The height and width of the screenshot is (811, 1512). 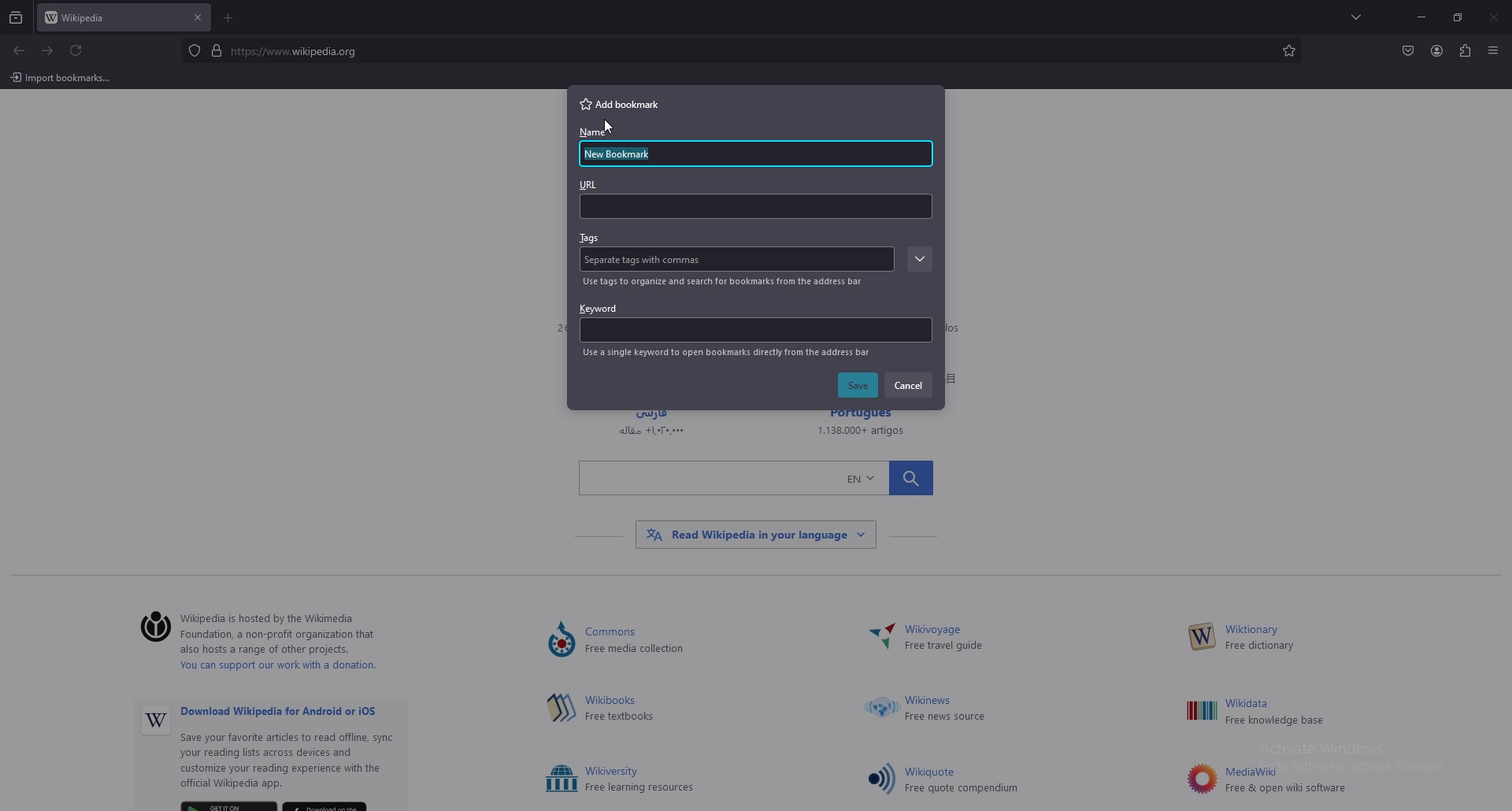 I want to click on recent browsing, so click(x=17, y=19).